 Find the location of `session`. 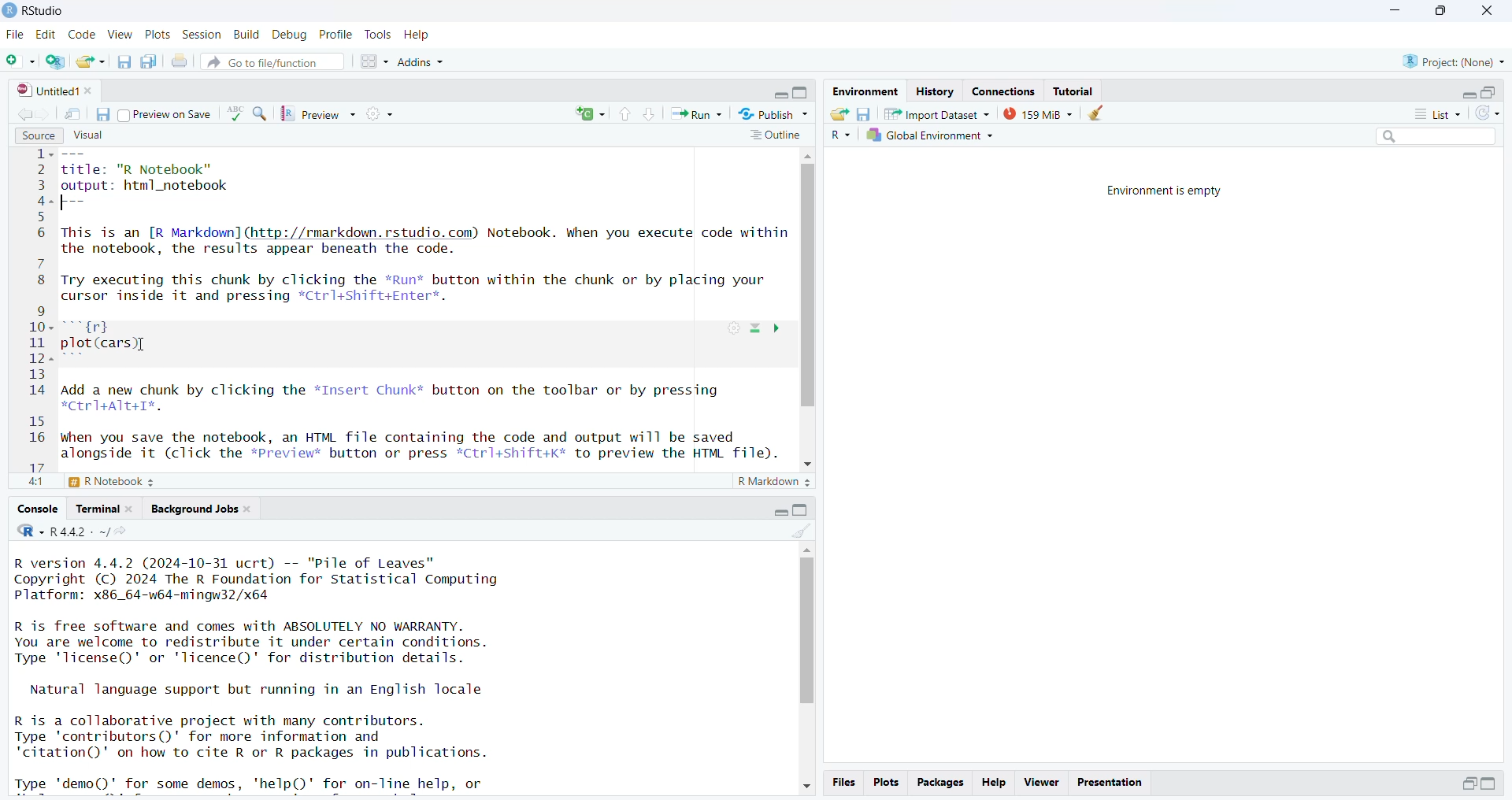

session is located at coordinates (202, 35).